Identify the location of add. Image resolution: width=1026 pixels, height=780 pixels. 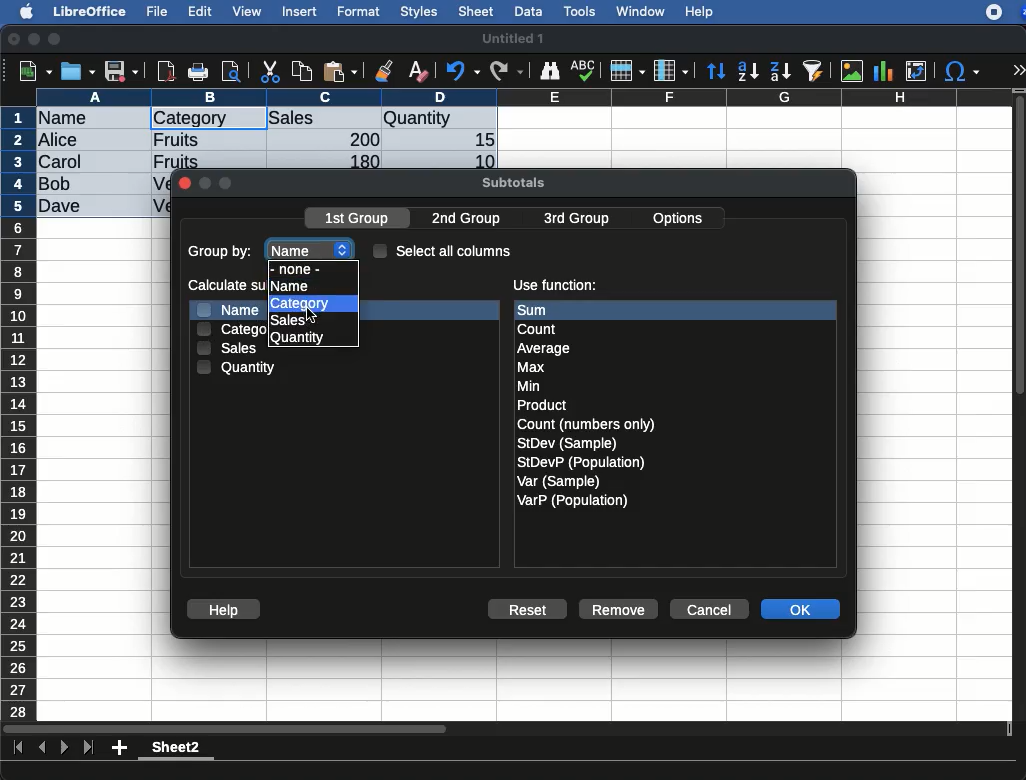
(121, 747).